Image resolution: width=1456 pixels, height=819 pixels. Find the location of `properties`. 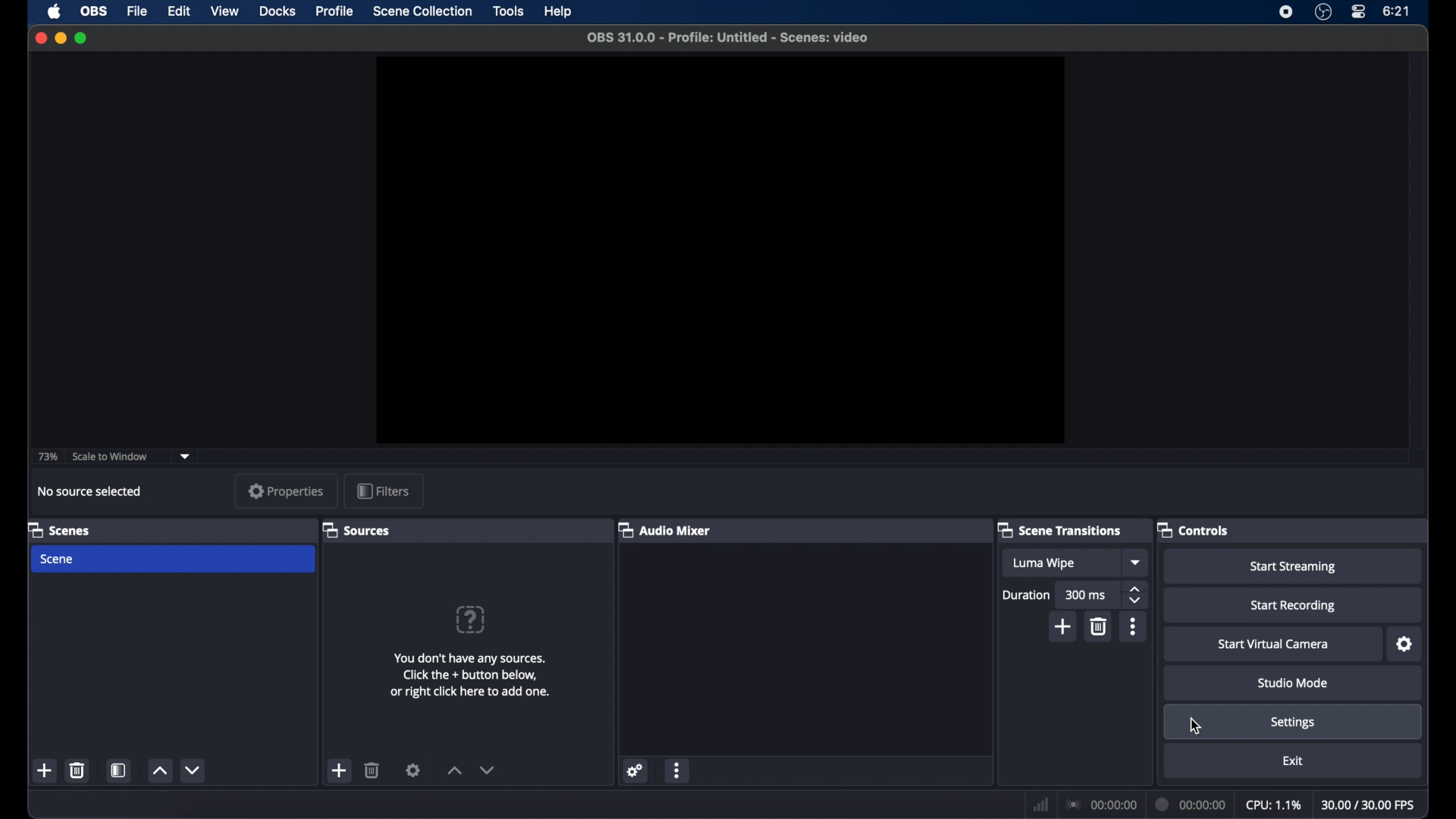

properties is located at coordinates (287, 491).